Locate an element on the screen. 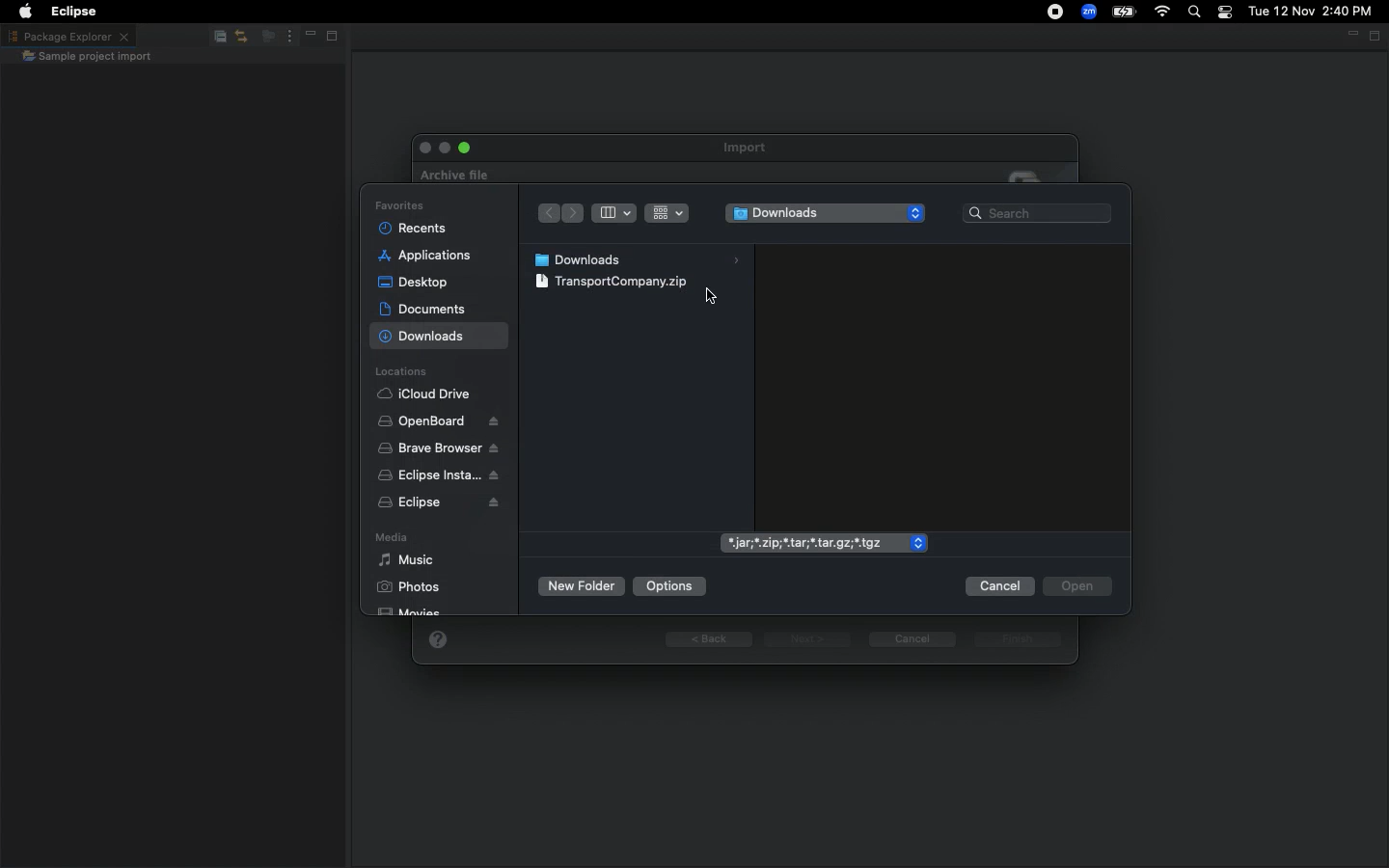 This screenshot has width=1389, height=868. Forward is located at coordinates (572, 216).